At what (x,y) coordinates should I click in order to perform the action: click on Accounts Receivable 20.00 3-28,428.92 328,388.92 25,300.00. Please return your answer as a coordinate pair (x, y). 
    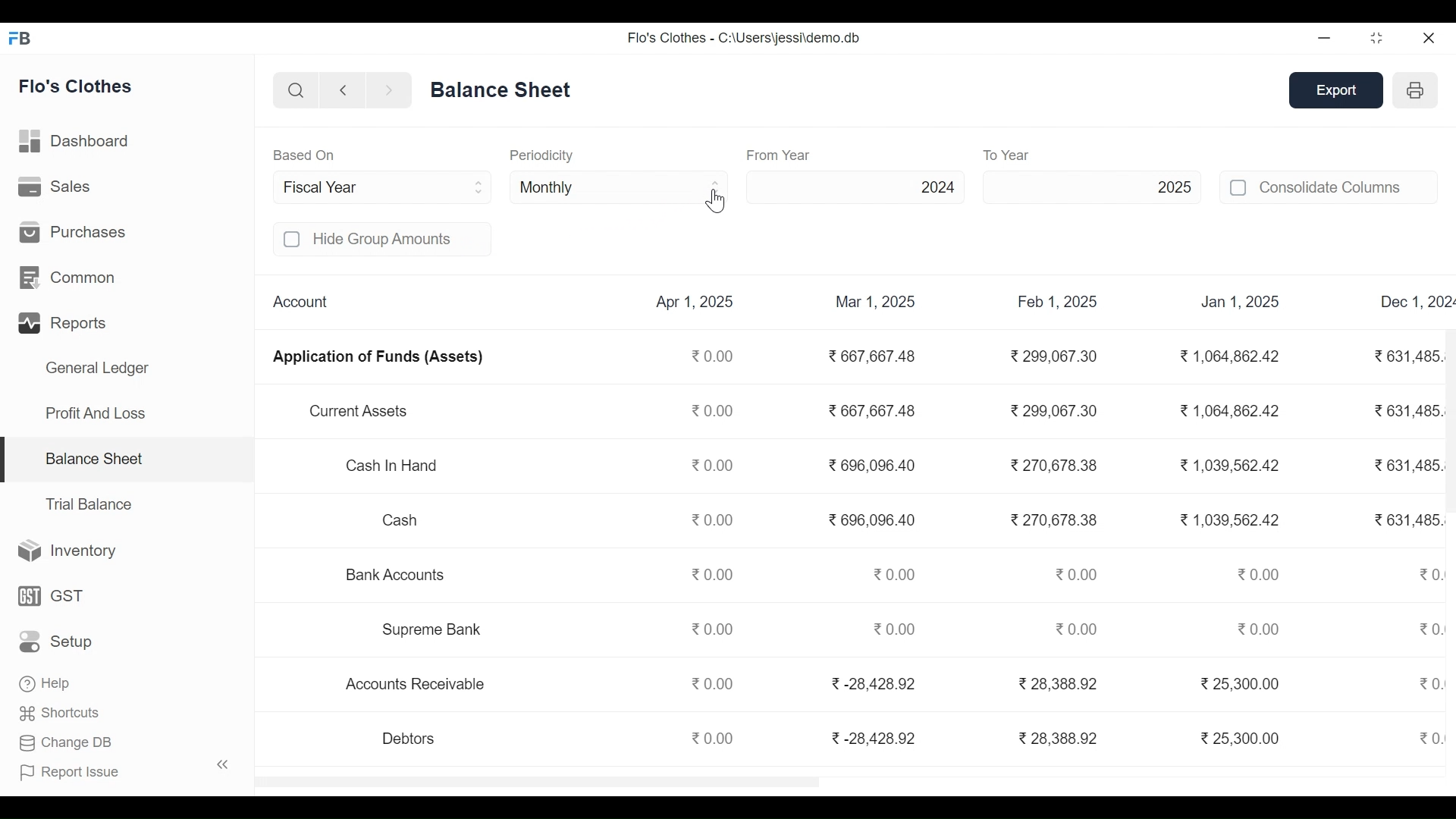
    Looking at the image, I should click on (812, 684).